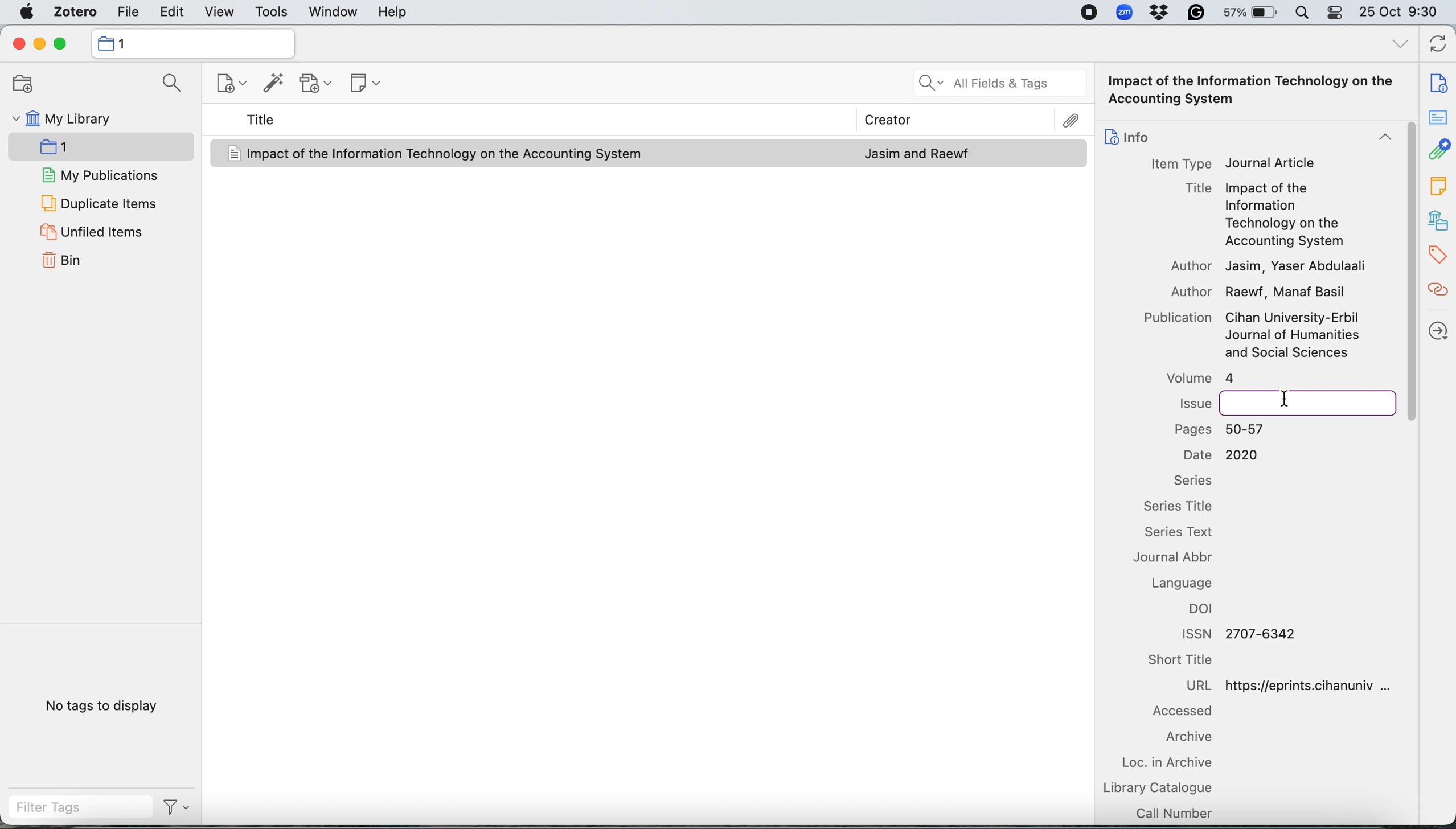 The image size is (1456, 829). I want to click on add new collection, so click(22, 84).